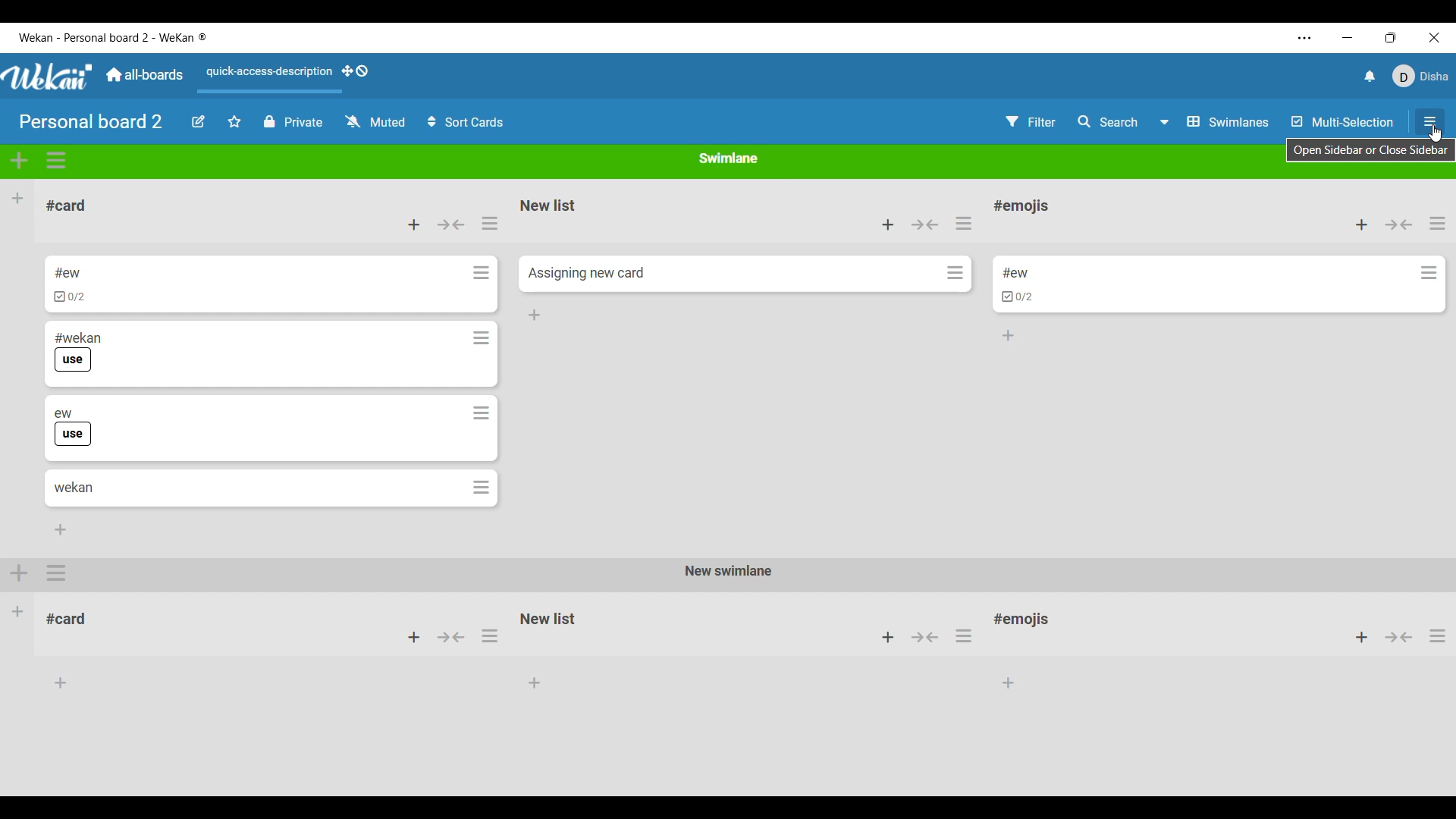  Describe the element at coordinates (19, 161) in the screenshot. I see `Add swimlane` at that location.